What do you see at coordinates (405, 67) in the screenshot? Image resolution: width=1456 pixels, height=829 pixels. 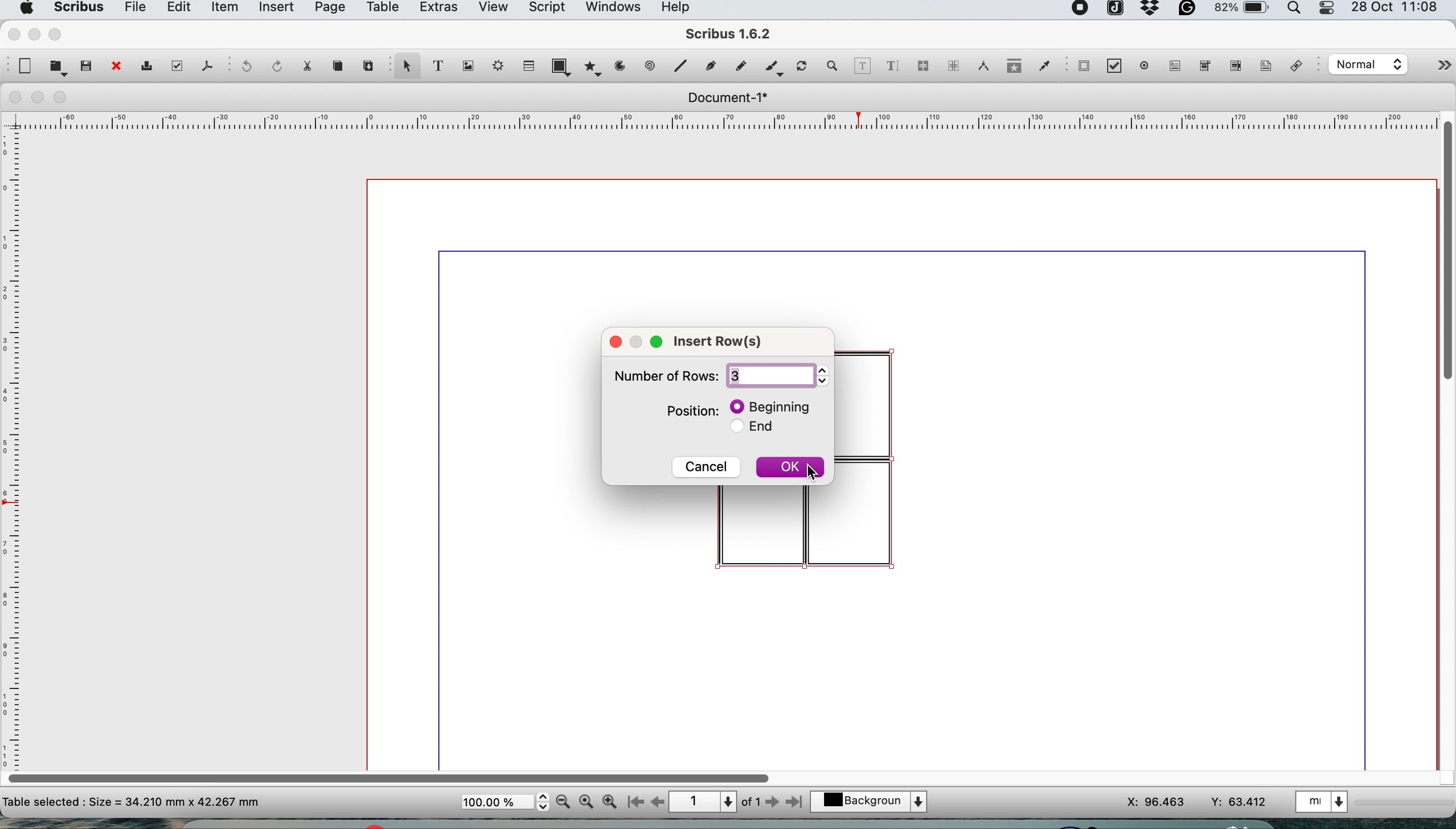 I see `select item` at bounding box center [405, 67].